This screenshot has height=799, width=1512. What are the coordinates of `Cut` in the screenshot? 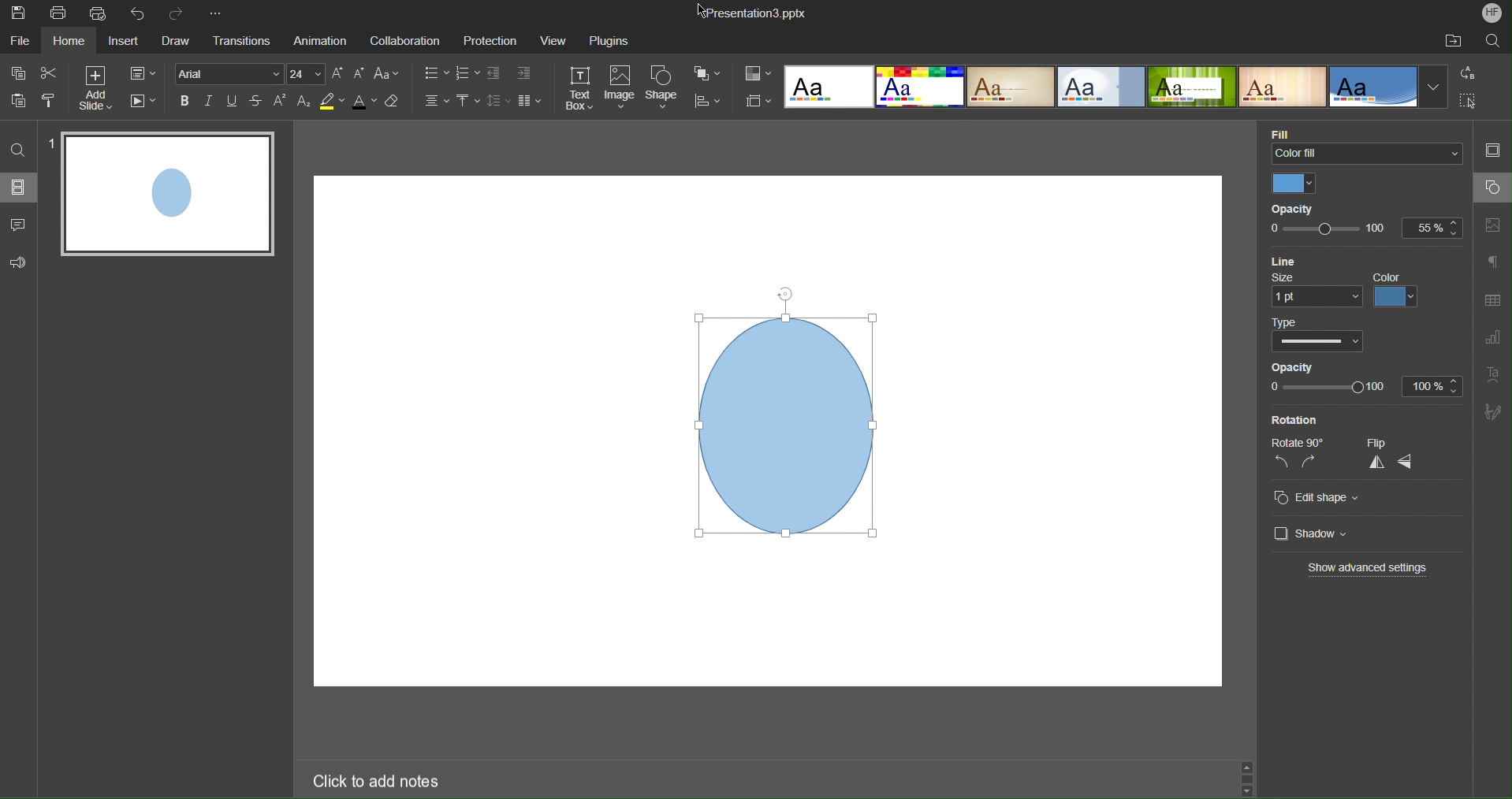 It's located at (50, 73).